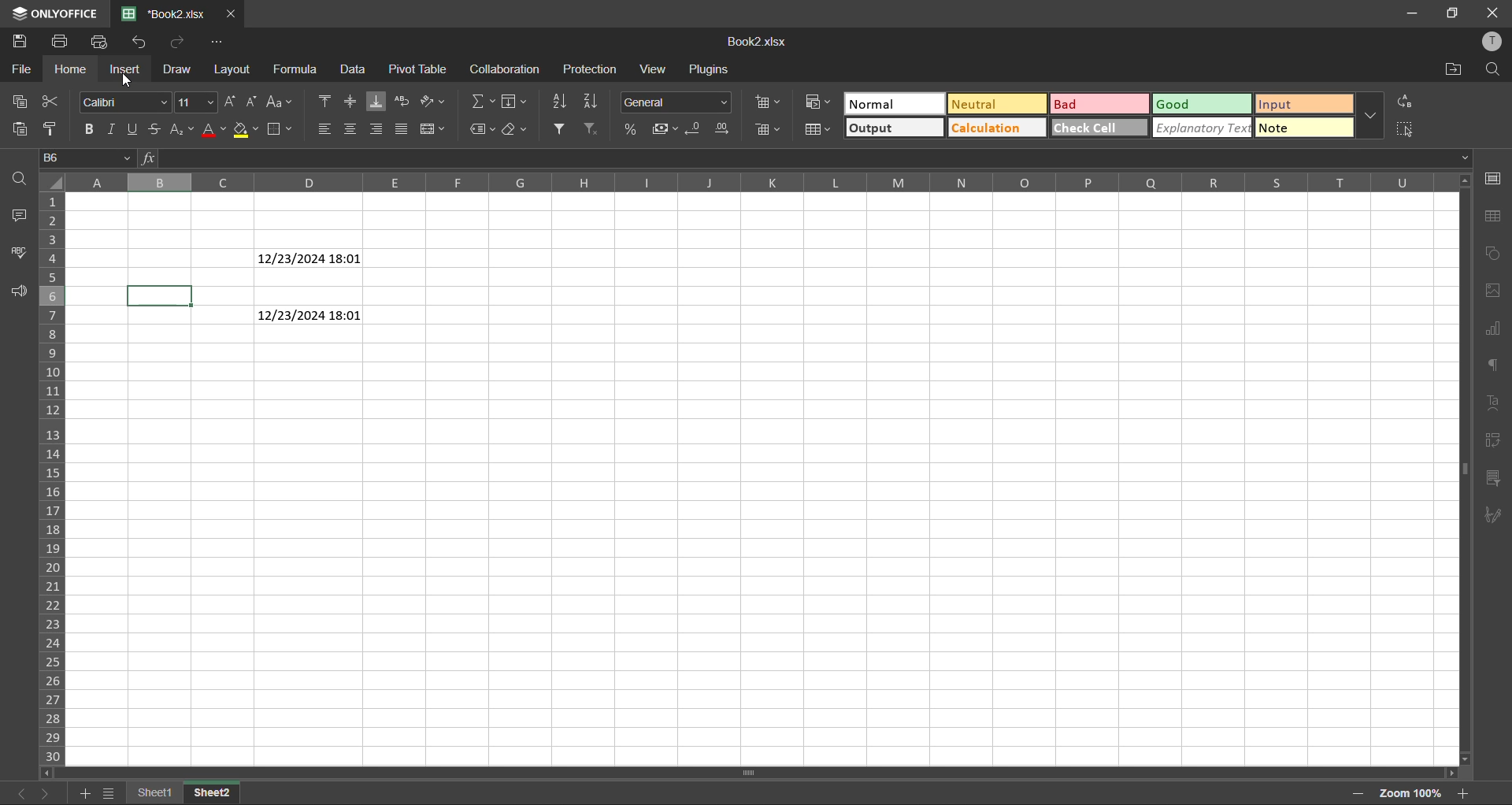 The height and width of the screenshot is (805, 1512). Describe the element at coordinates (654, 69) in the screenshot. I see `view` at that location.